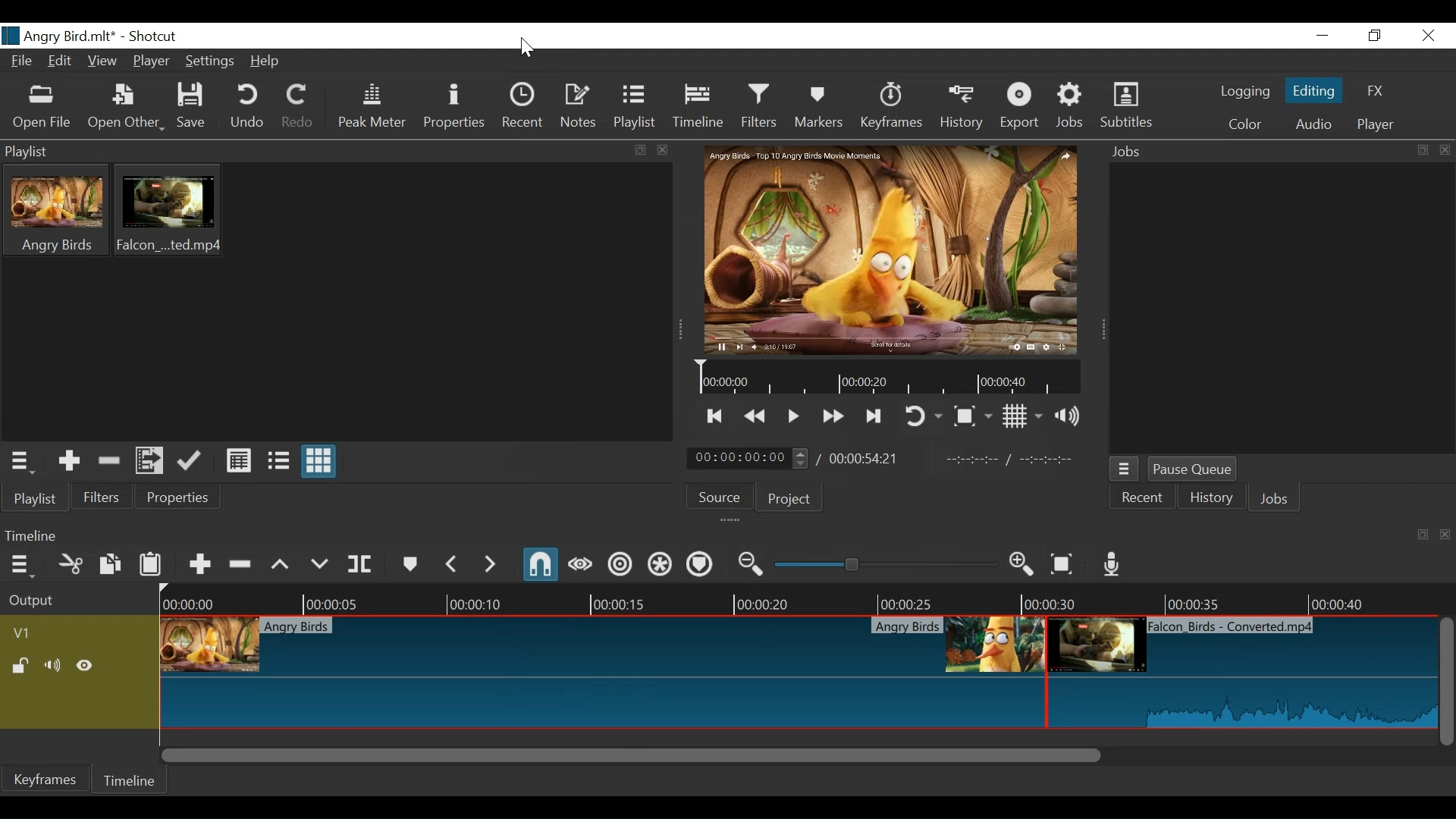 The width and height of the screenshot is (1456, 819). I want to click on Vertical Scrll bar, so click(1447, 682).